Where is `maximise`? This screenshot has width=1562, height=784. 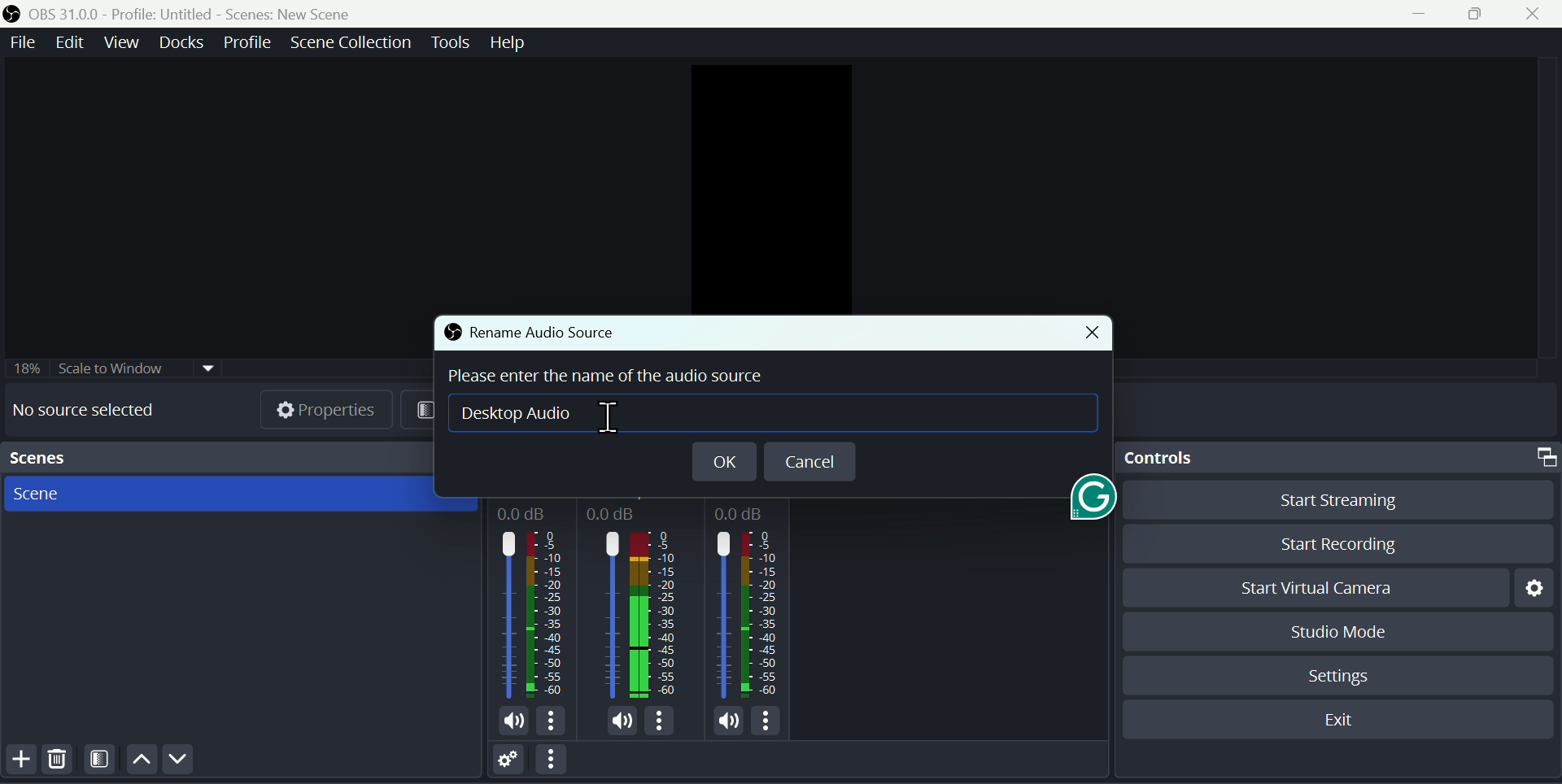 maximise is located at coordinates (1477, 15).